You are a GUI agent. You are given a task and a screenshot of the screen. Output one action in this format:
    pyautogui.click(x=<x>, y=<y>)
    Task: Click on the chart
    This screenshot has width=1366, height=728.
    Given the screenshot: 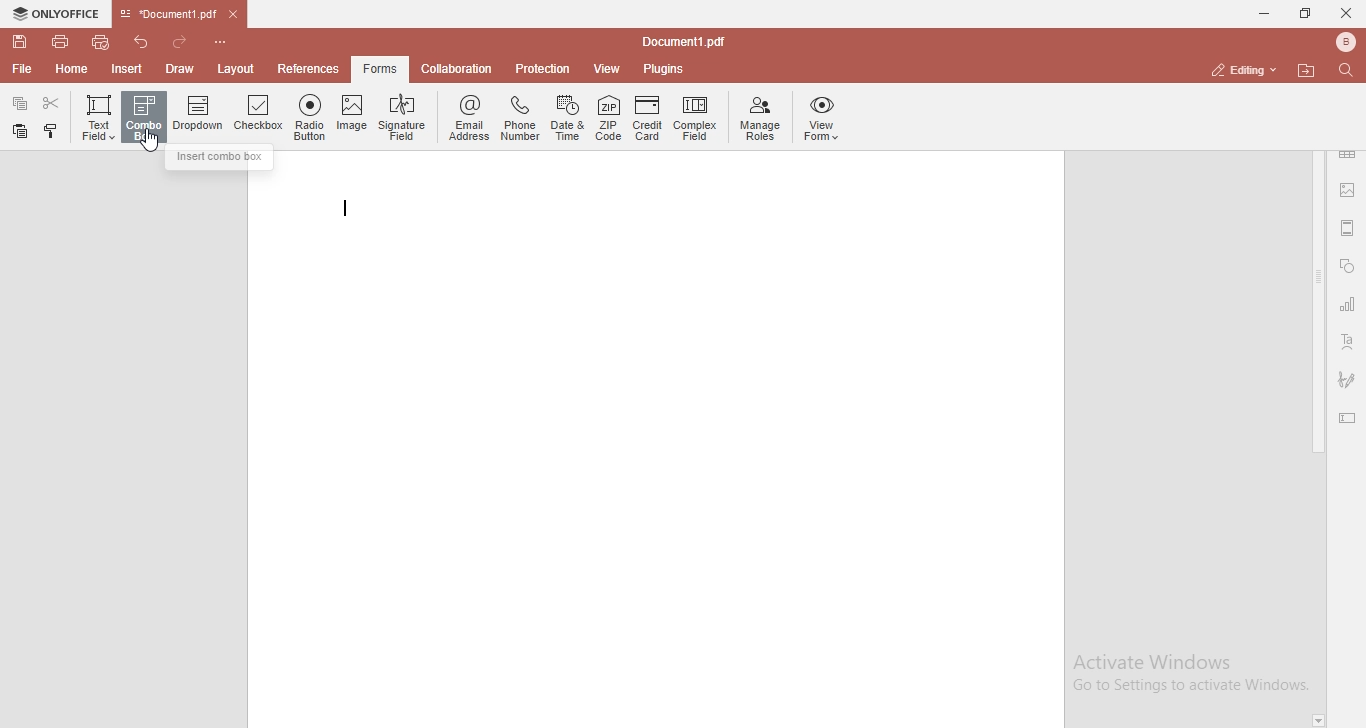 What is the action you would take?
    pyautogui.click(x=1348, y=308)
    